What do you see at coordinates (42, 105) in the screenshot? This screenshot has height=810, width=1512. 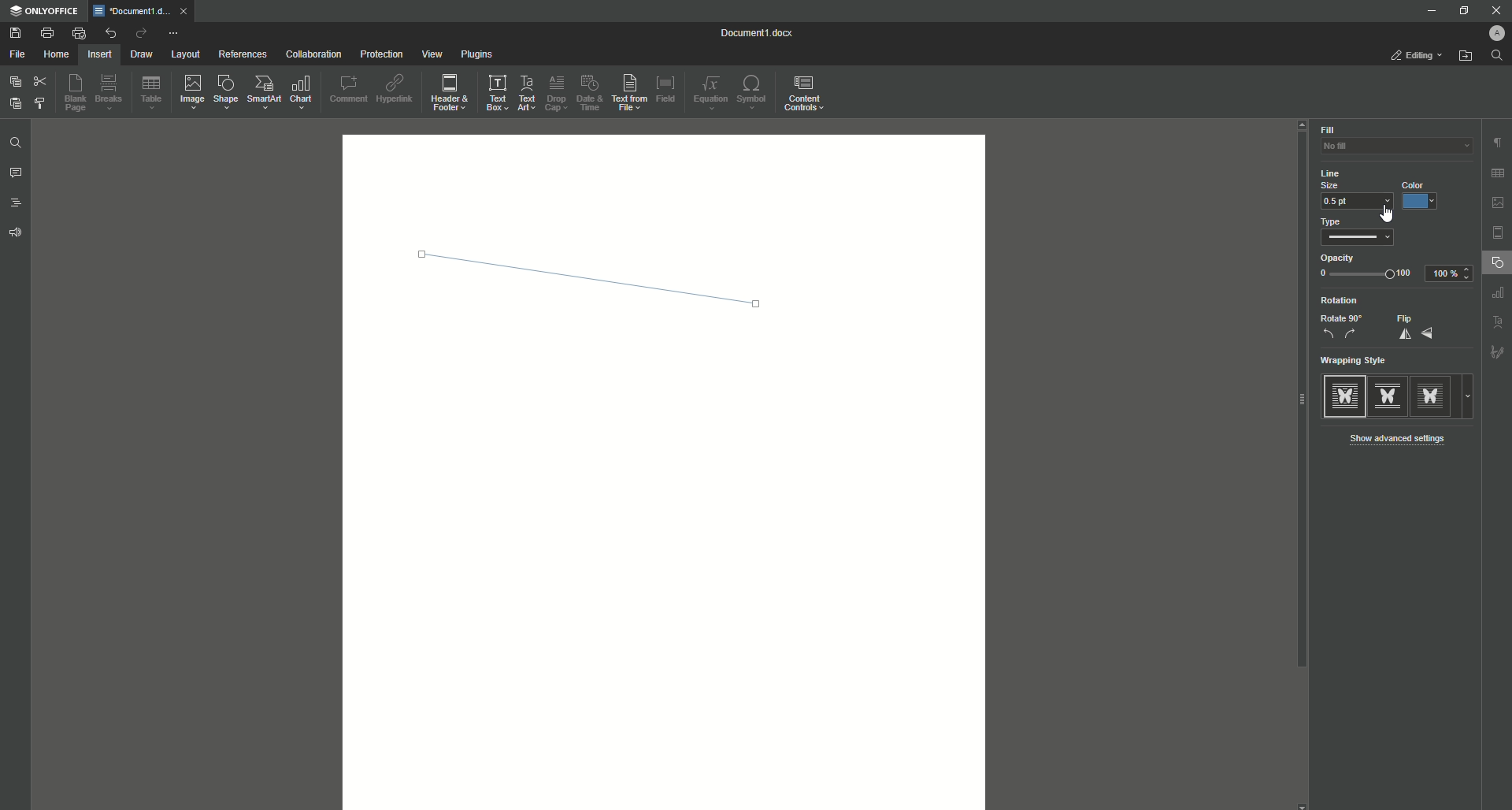 I see `Choose Styling` at bounding box center [42, 105].